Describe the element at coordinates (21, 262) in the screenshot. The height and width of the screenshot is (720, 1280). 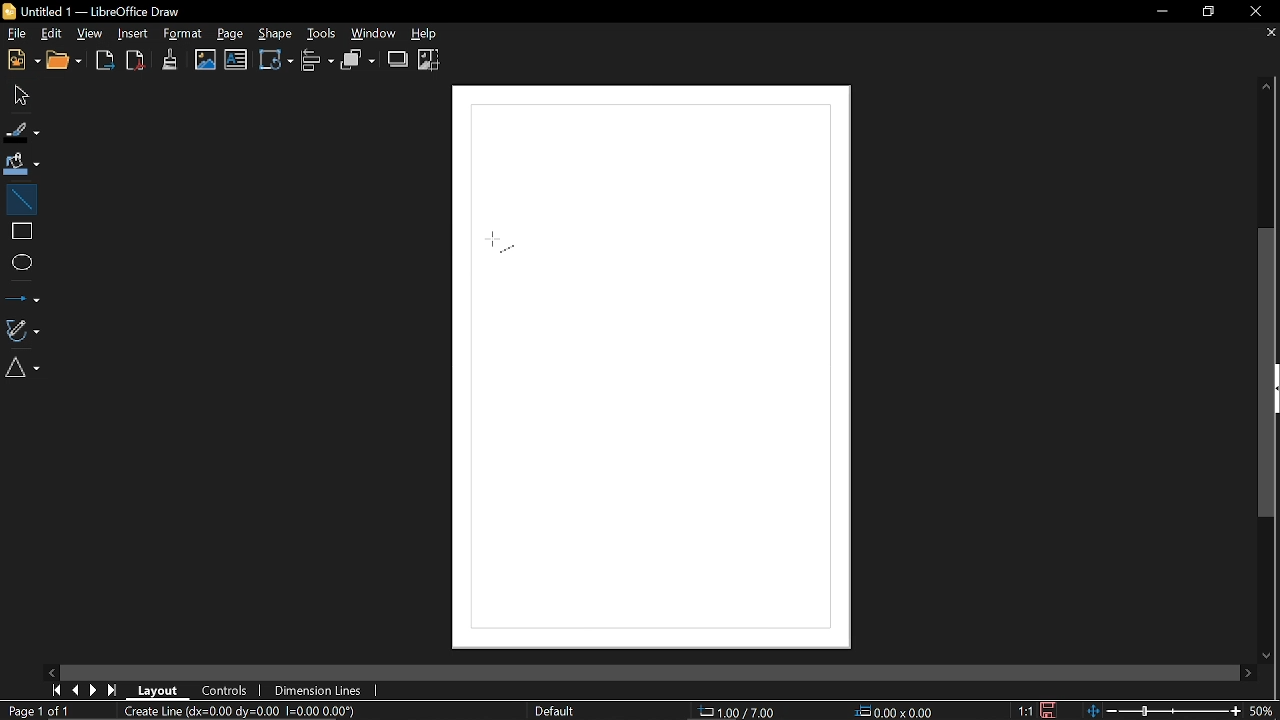
I see `ELlipse` at that location.